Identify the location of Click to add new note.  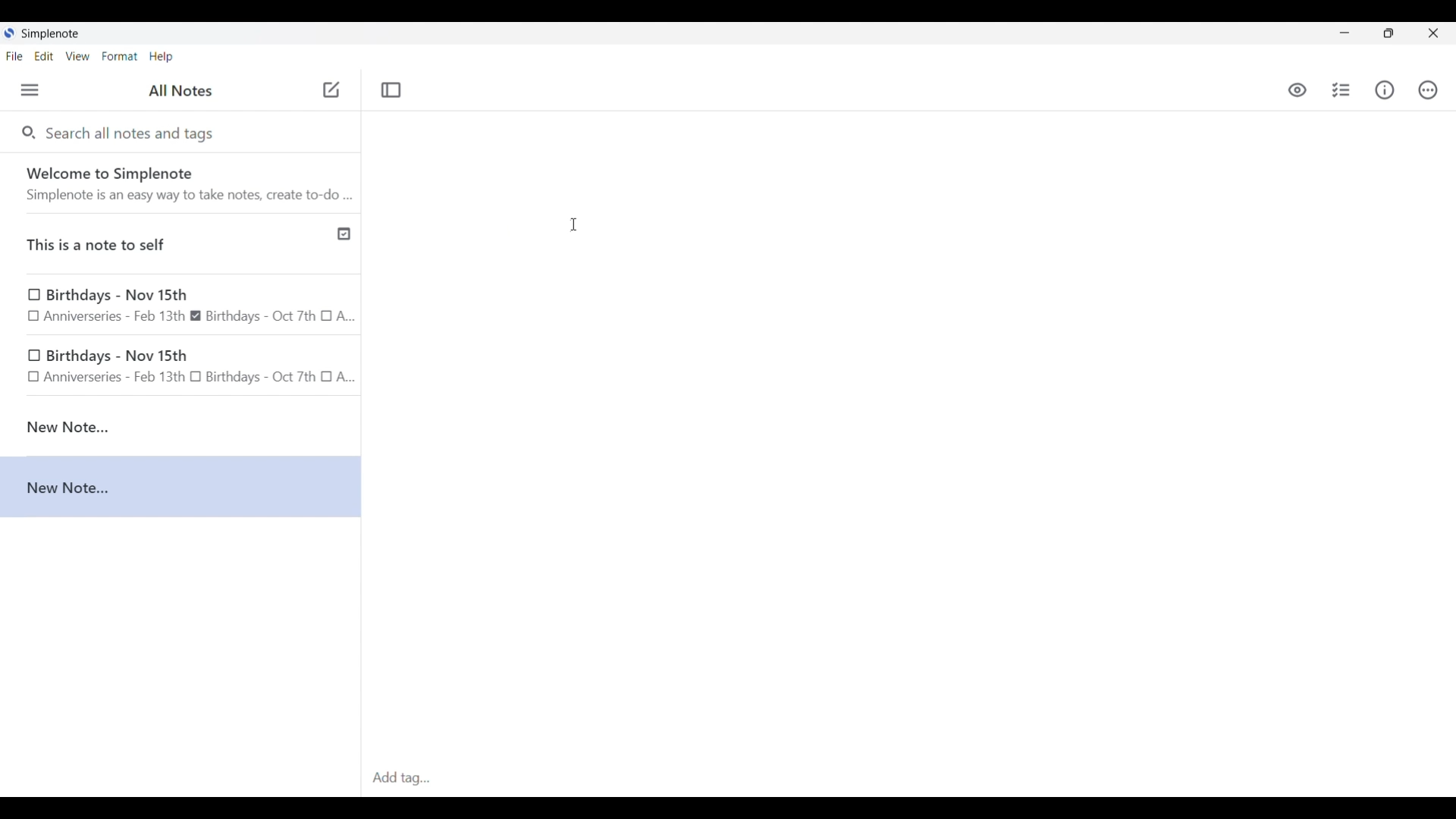
(331, 89).